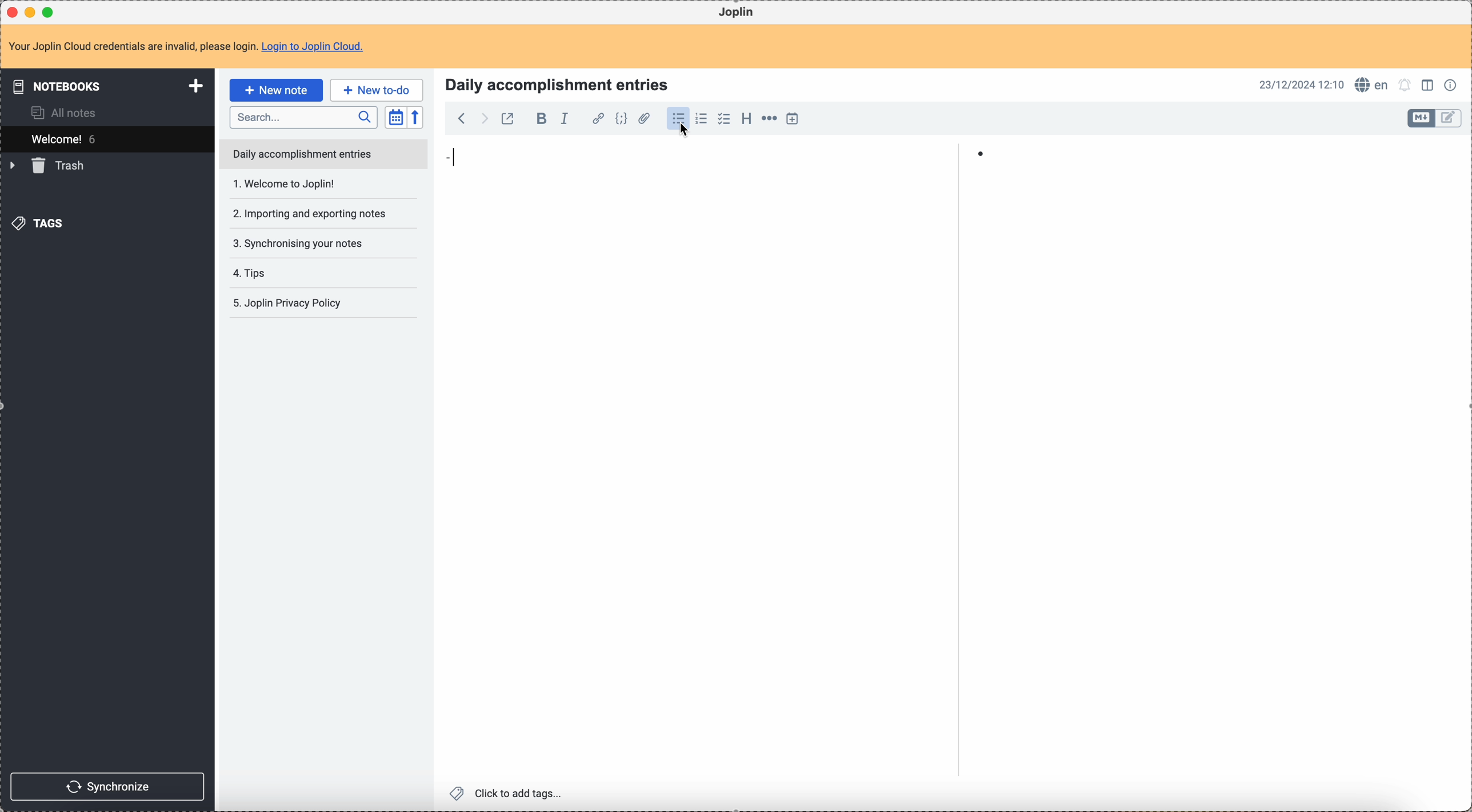  I want to click on spell checker, so click(1372, 85).